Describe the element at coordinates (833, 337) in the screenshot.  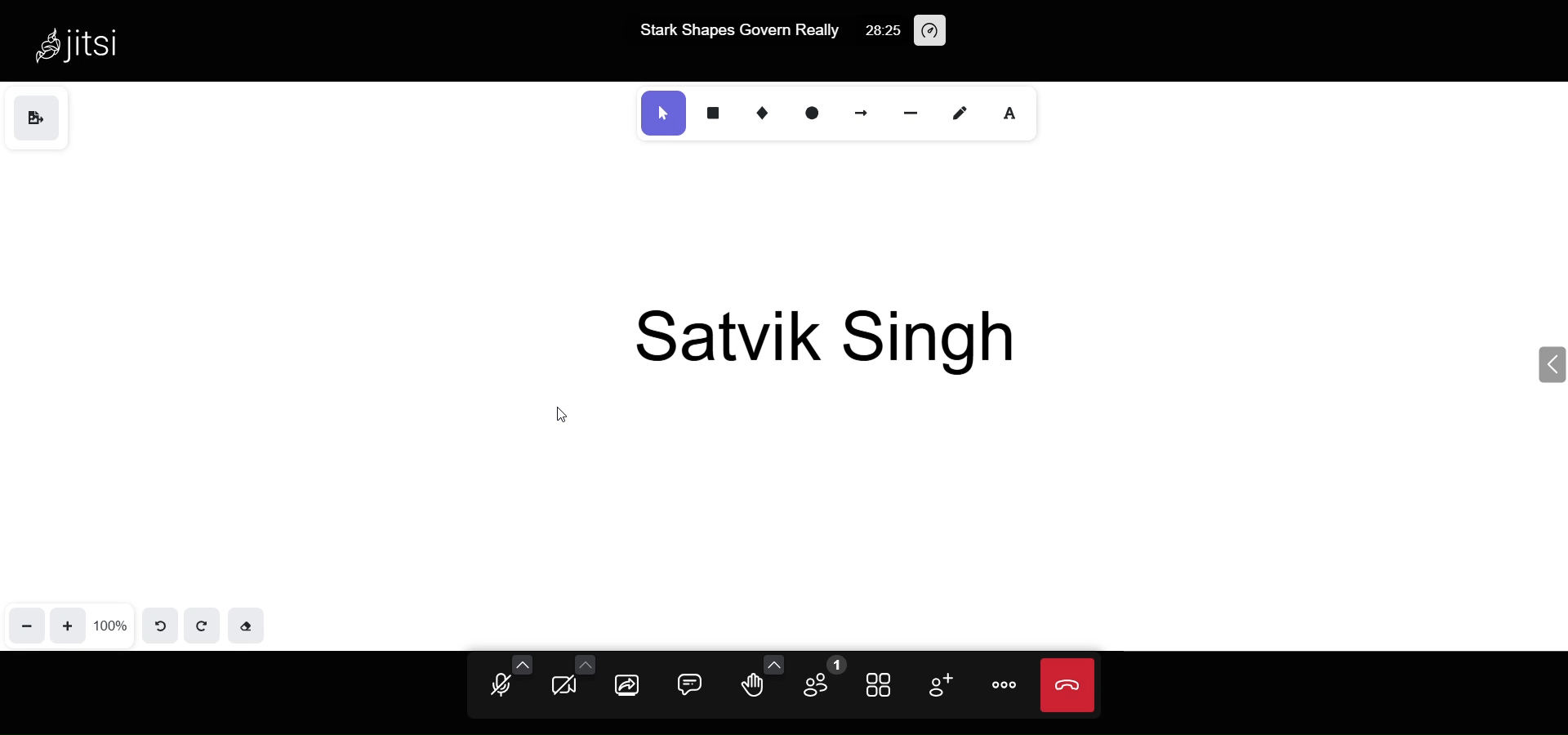
I see `Satvik Singh` at that location.